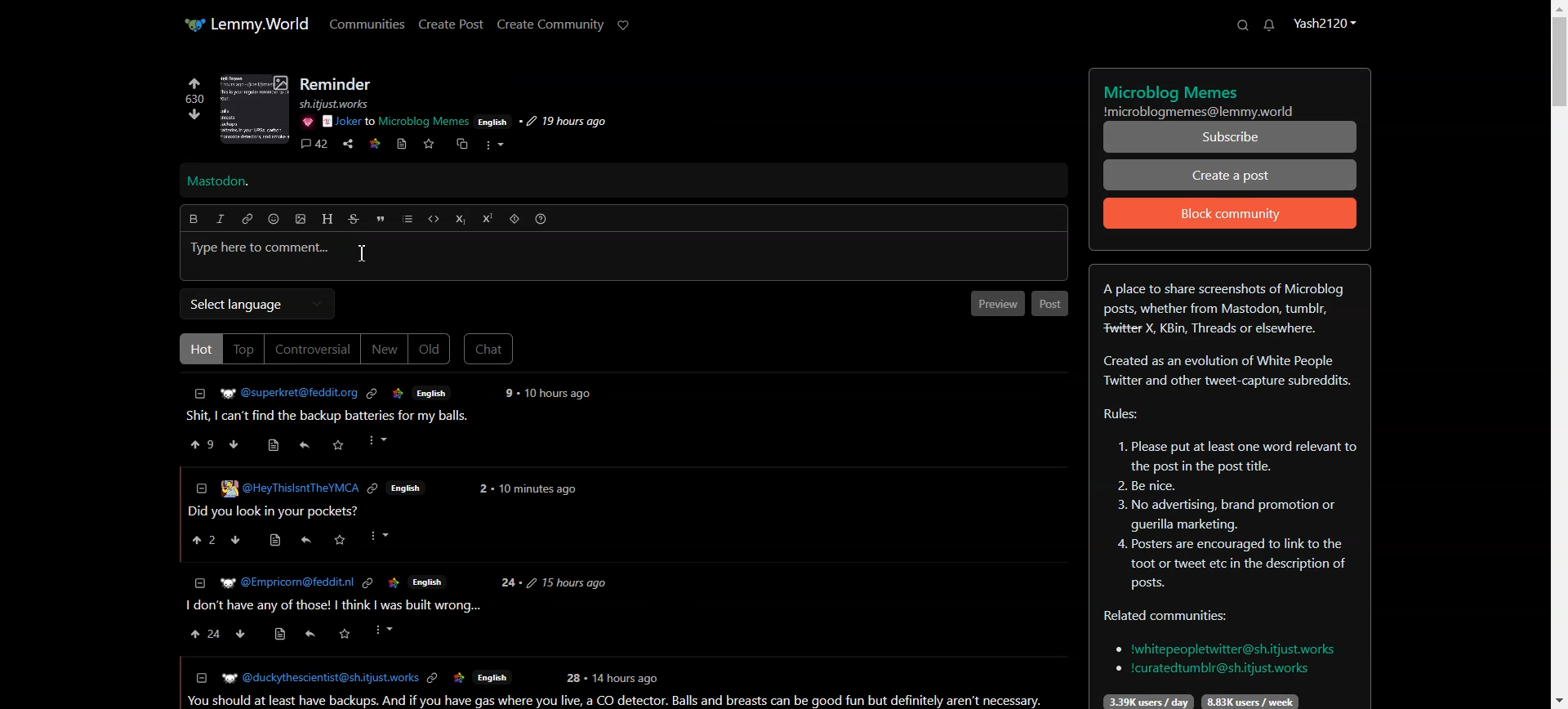 Image resolution: width=1568 pixels, height=709 pixels. What do you see at coordinates (345, 634) in the screenshot?
I see `` at bounding box center [345, 634].